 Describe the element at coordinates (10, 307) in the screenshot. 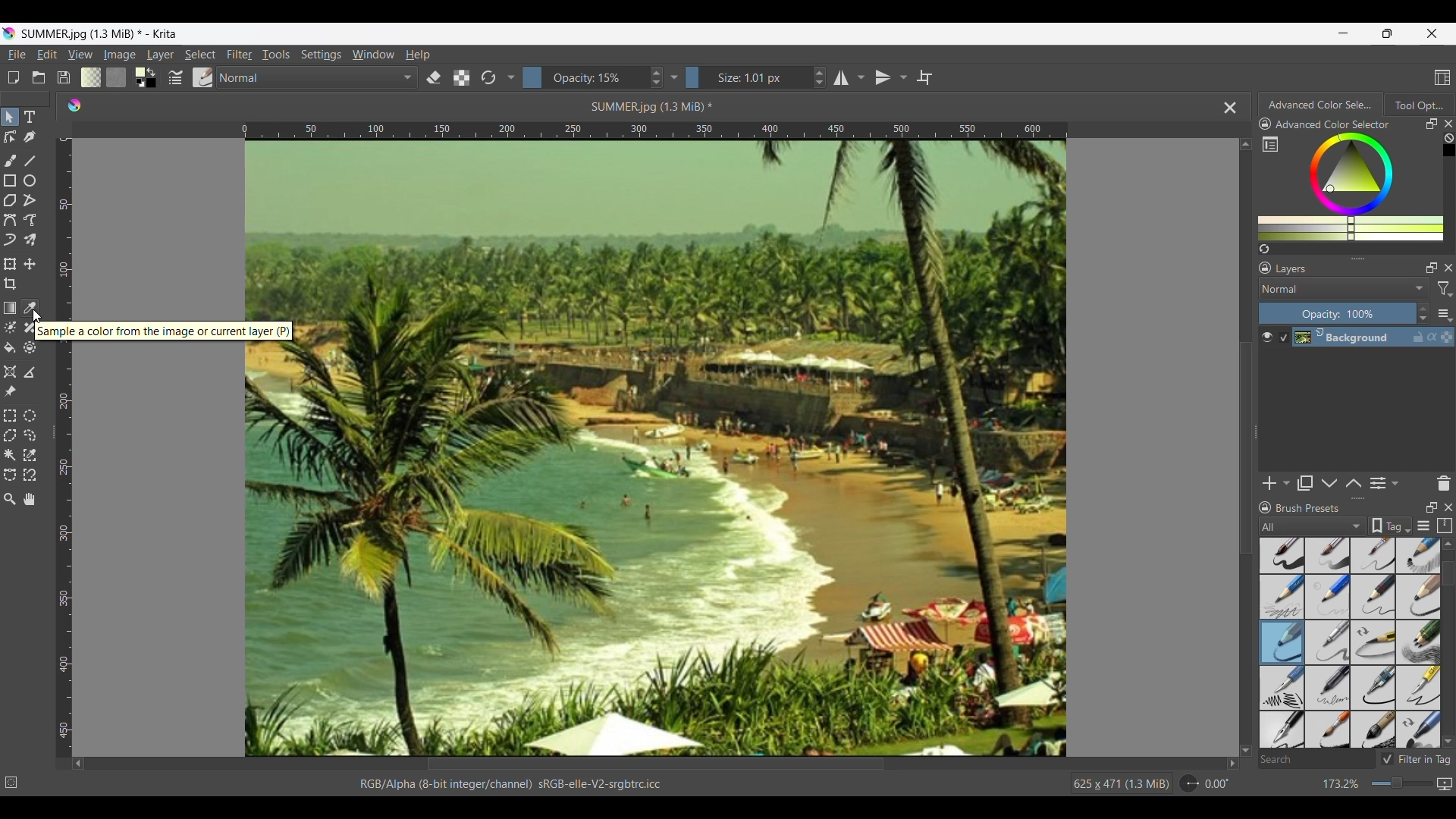

I see `Draw a gradient` at that location.